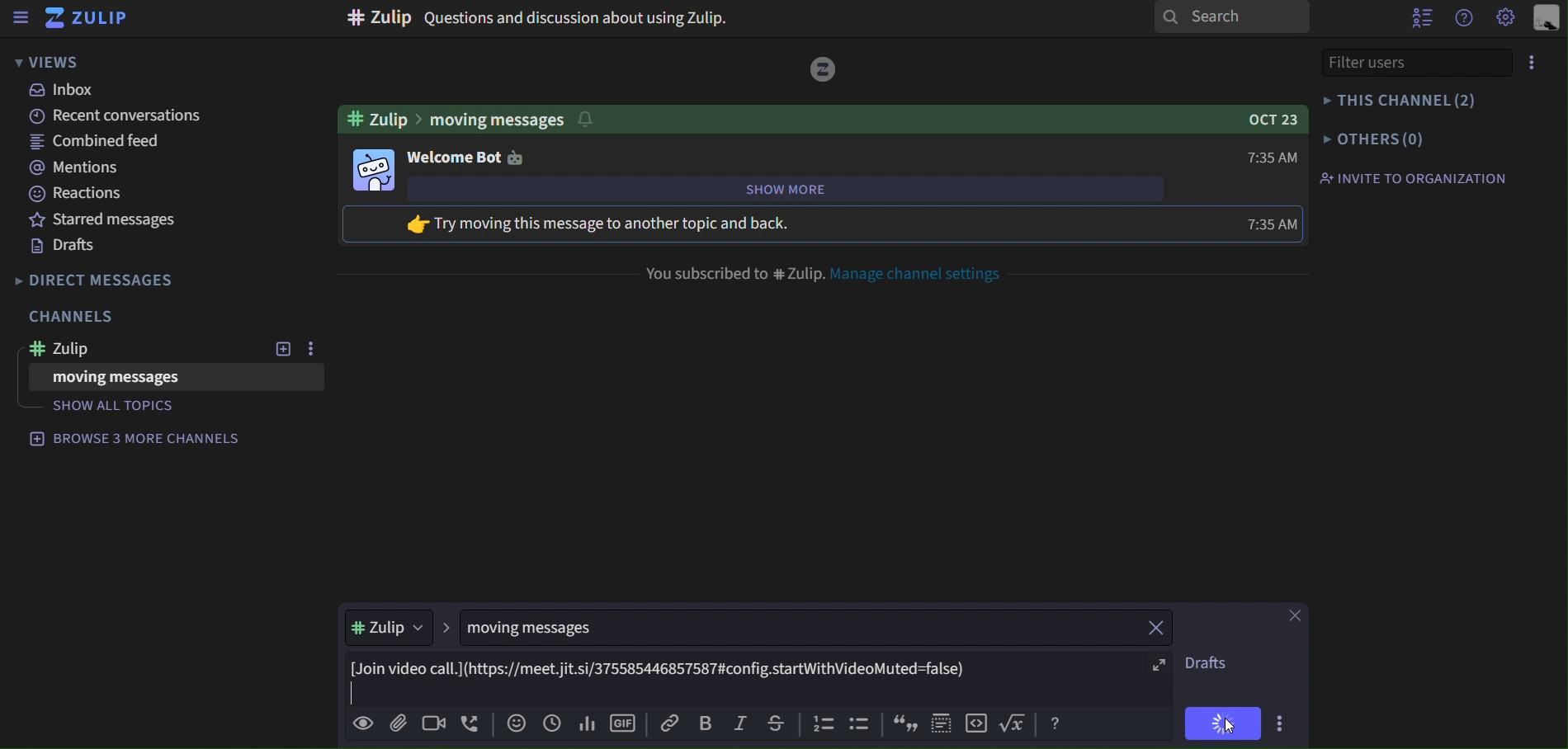 The height and width of the screenshot is (749, 1568). Describe the element at coordinates (709, 725) in the screenshot. I see `bold` at that location.